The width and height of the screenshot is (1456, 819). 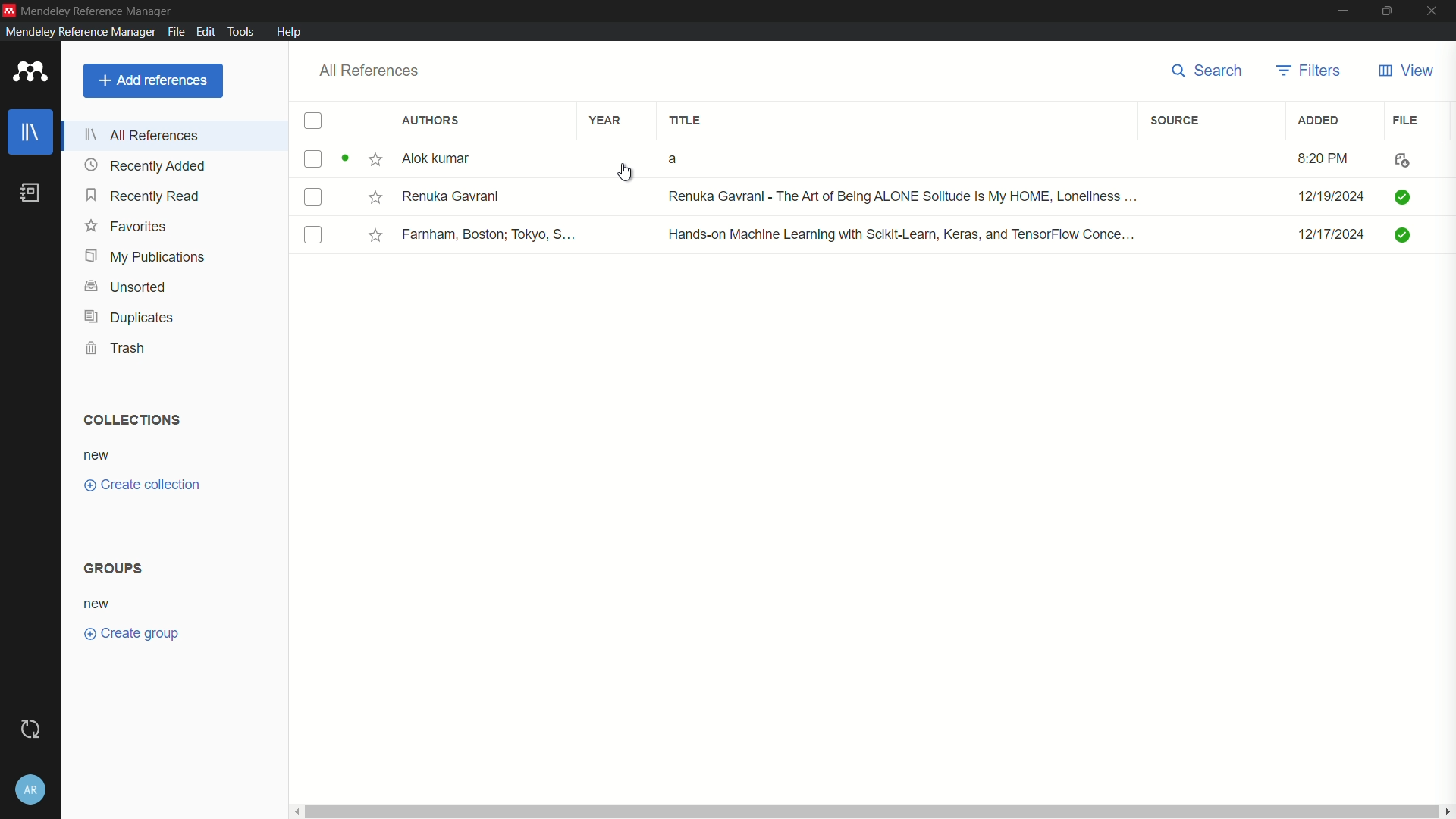 I want to click on recently added, so click(x=145, y=166).